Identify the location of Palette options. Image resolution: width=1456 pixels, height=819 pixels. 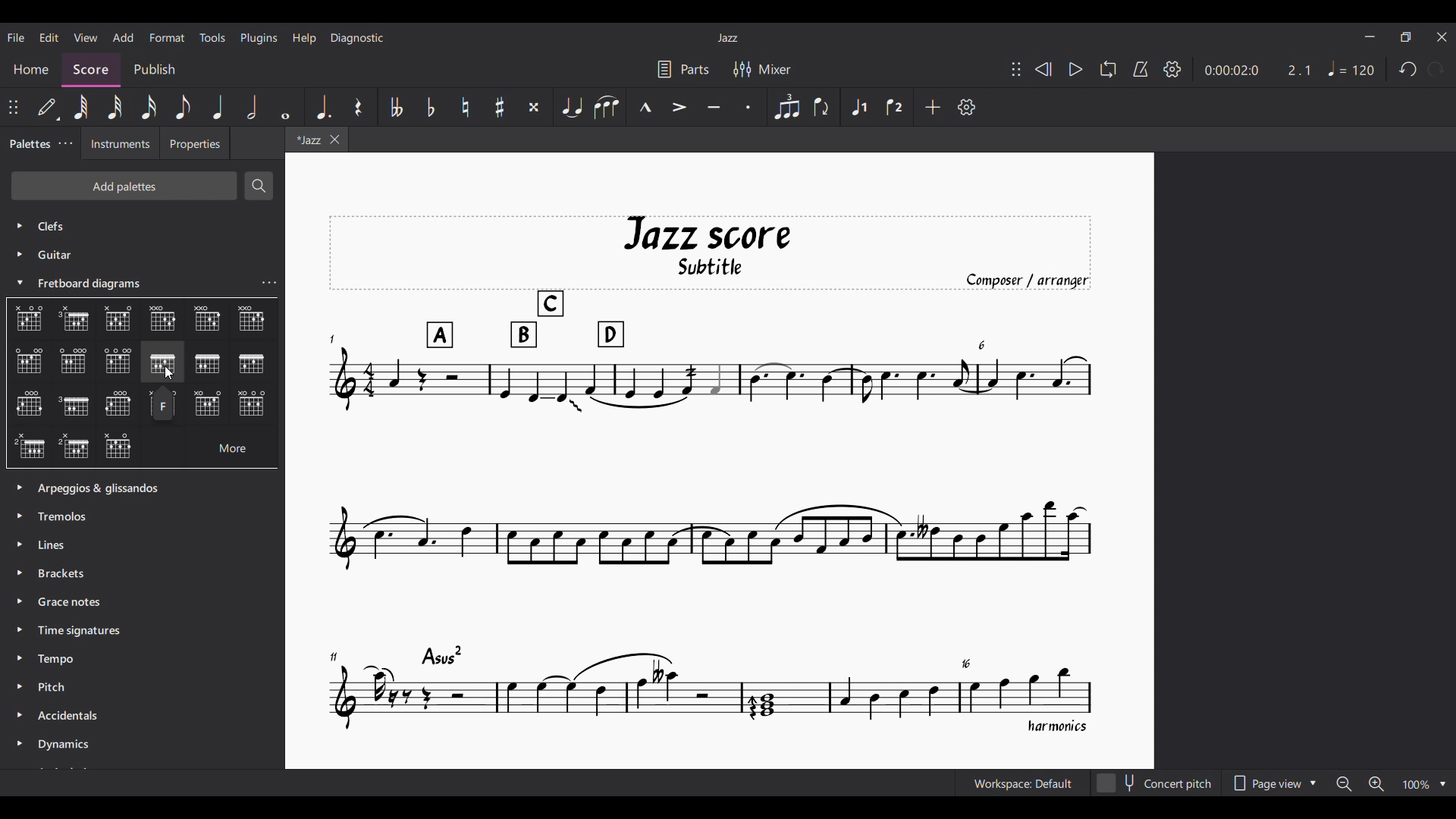
(116, 485).